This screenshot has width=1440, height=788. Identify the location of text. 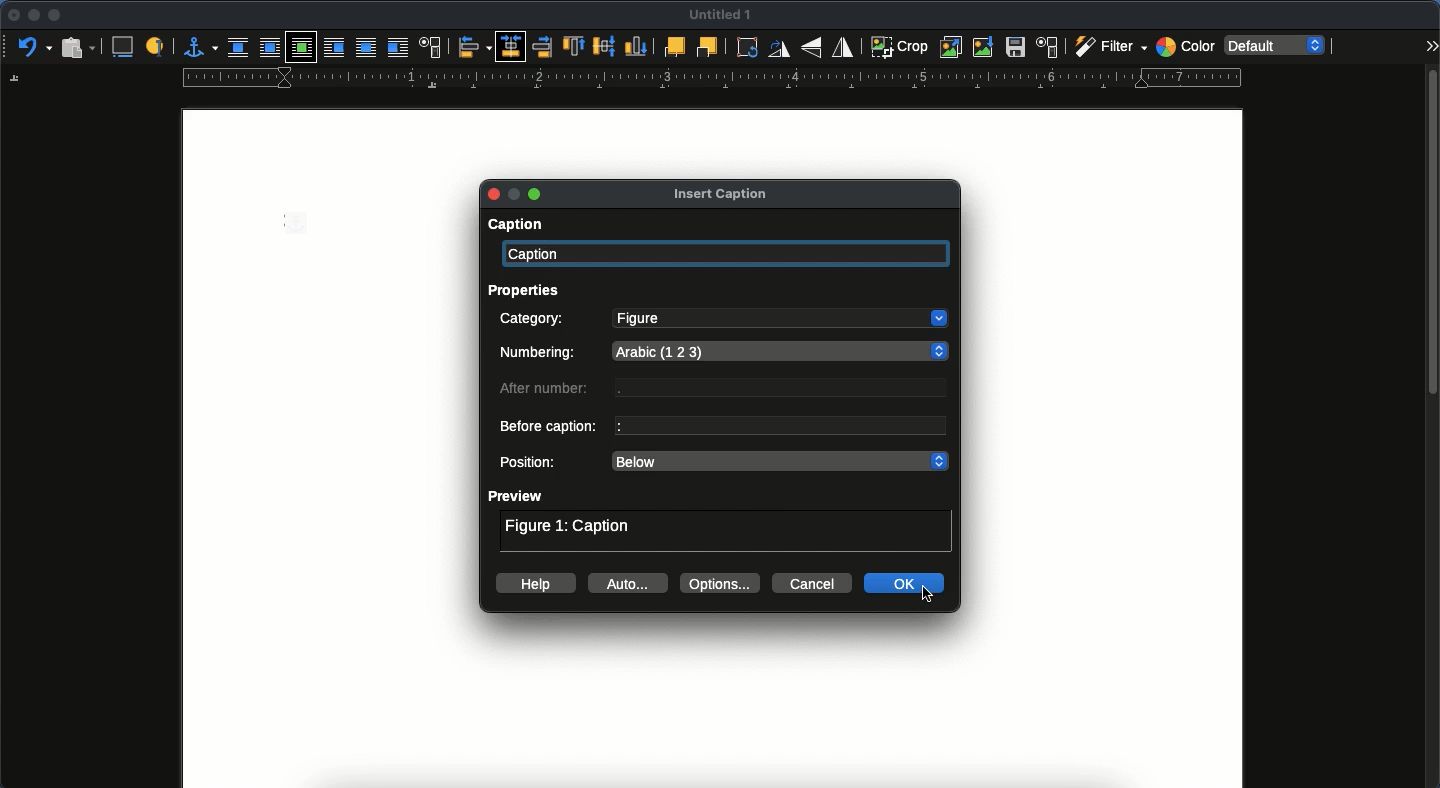
(779, 425).